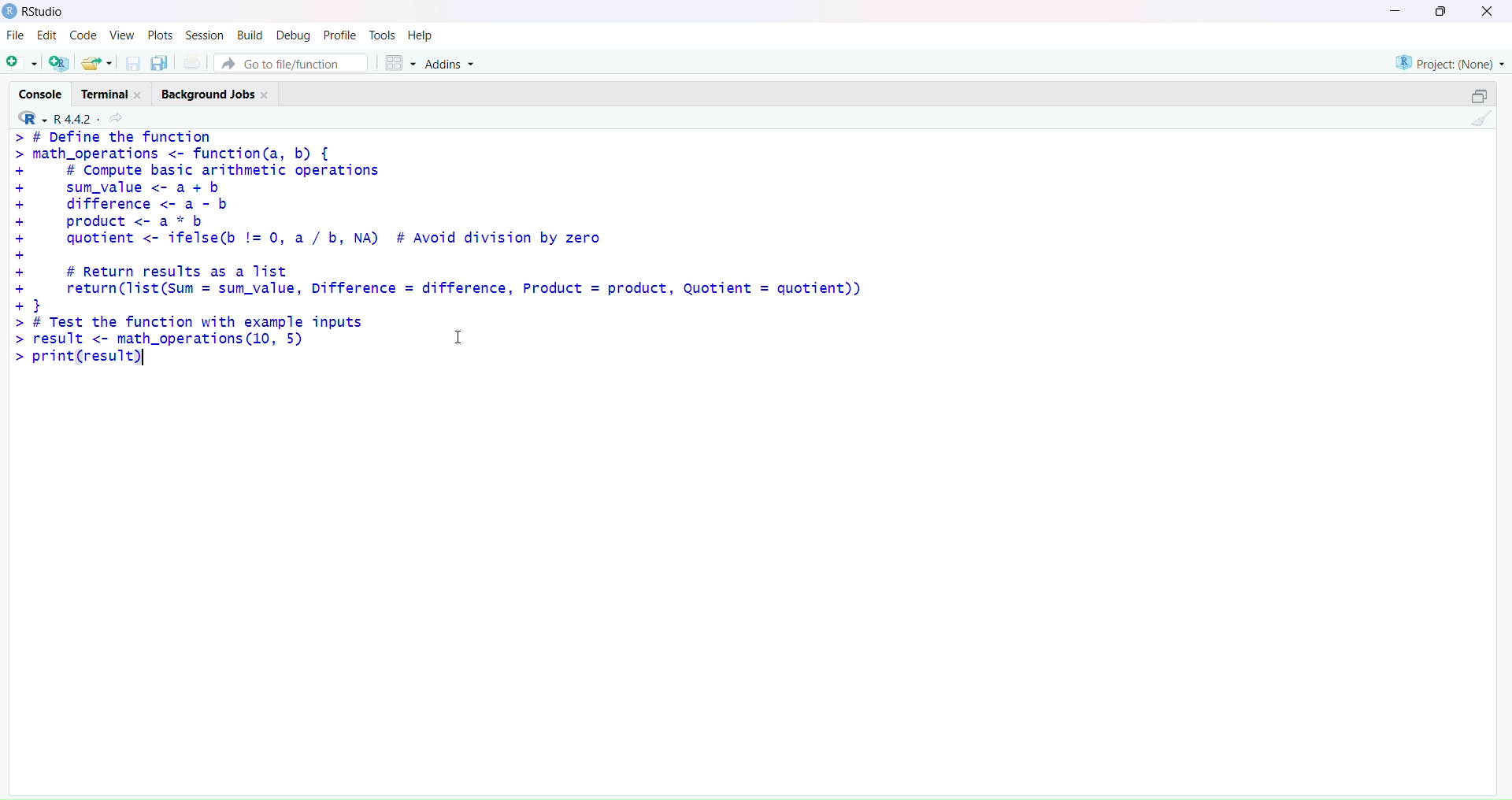 The image size is (1512, 800). What do you see at coordinates (191, 61) in the screenshot?
I see `Print the current file` at bounding box center [191, 61].